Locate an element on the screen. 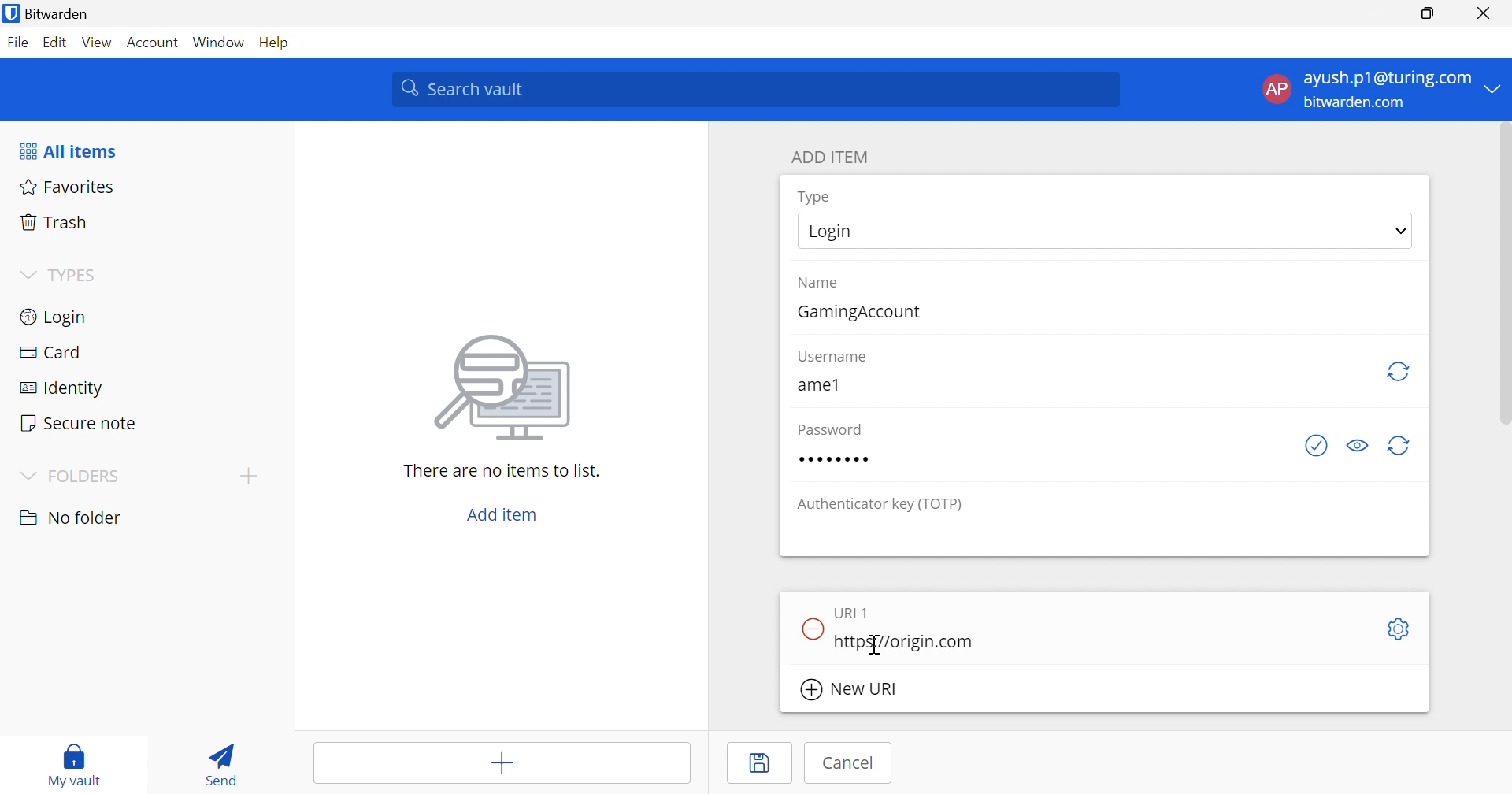  Image is located at coordinates (506, 387).